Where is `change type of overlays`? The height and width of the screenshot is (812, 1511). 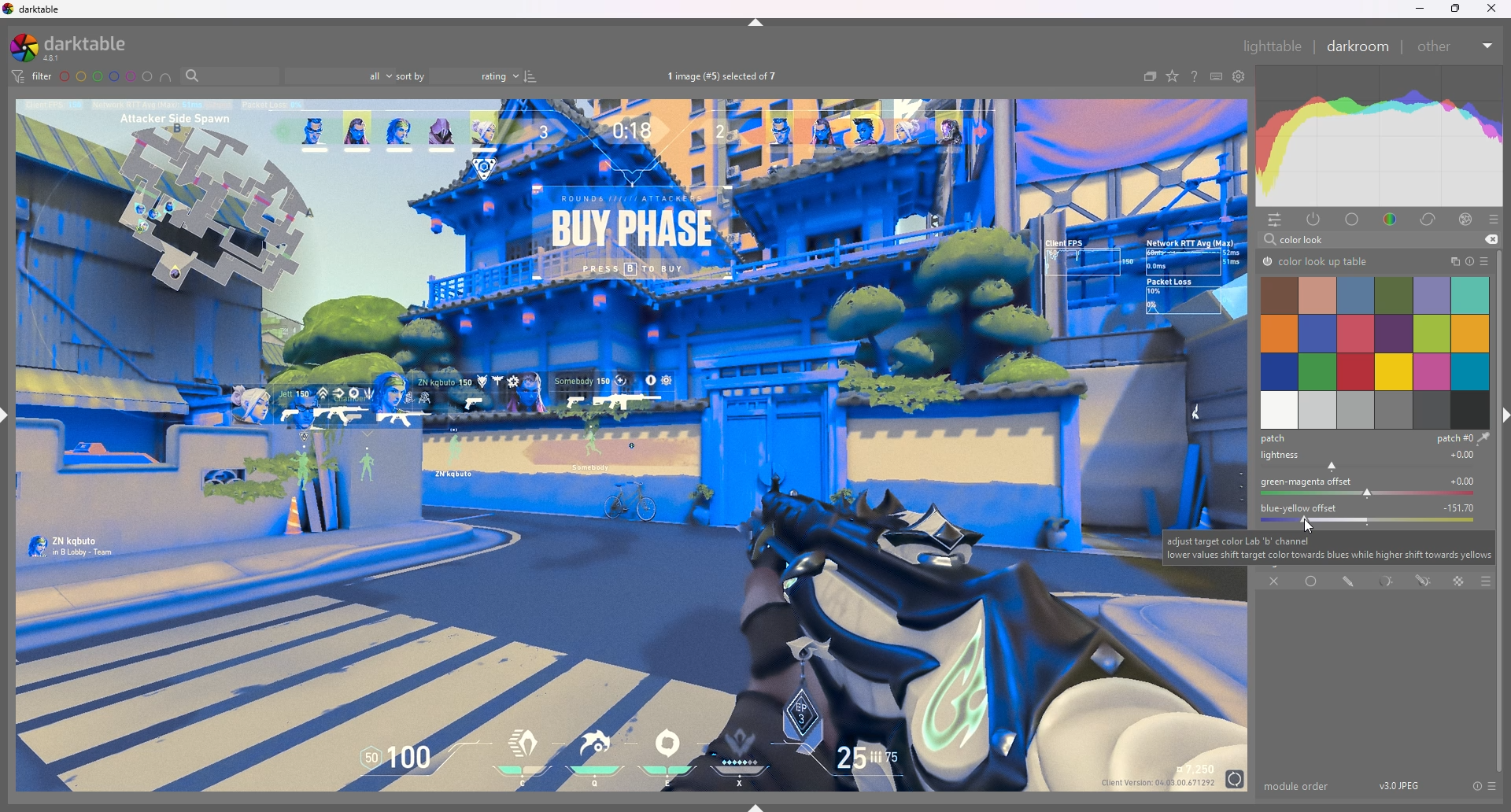
change type of overlays is located at coordinates (1173, 76).